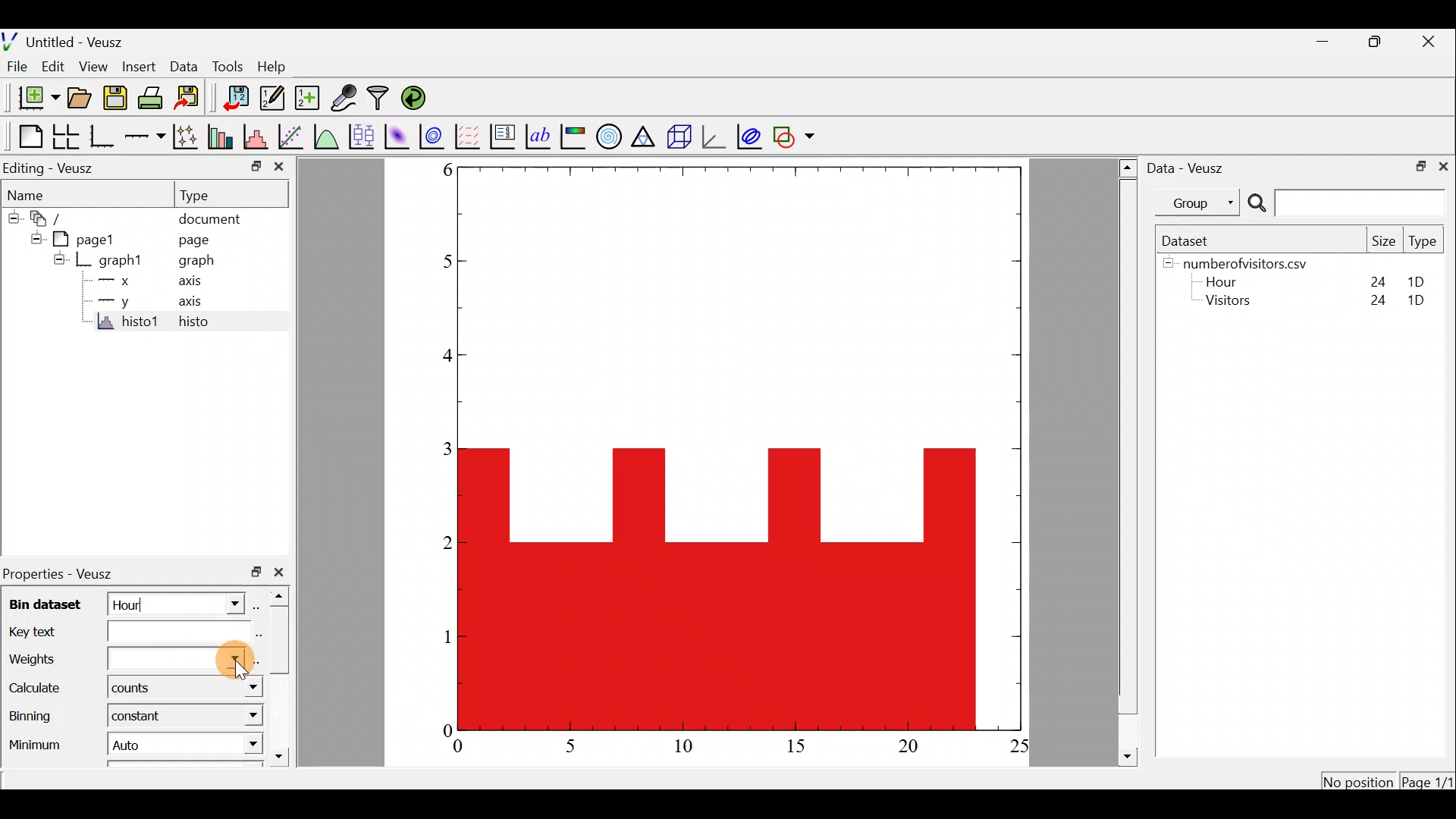  I want to click on Type, so click(203, 195).